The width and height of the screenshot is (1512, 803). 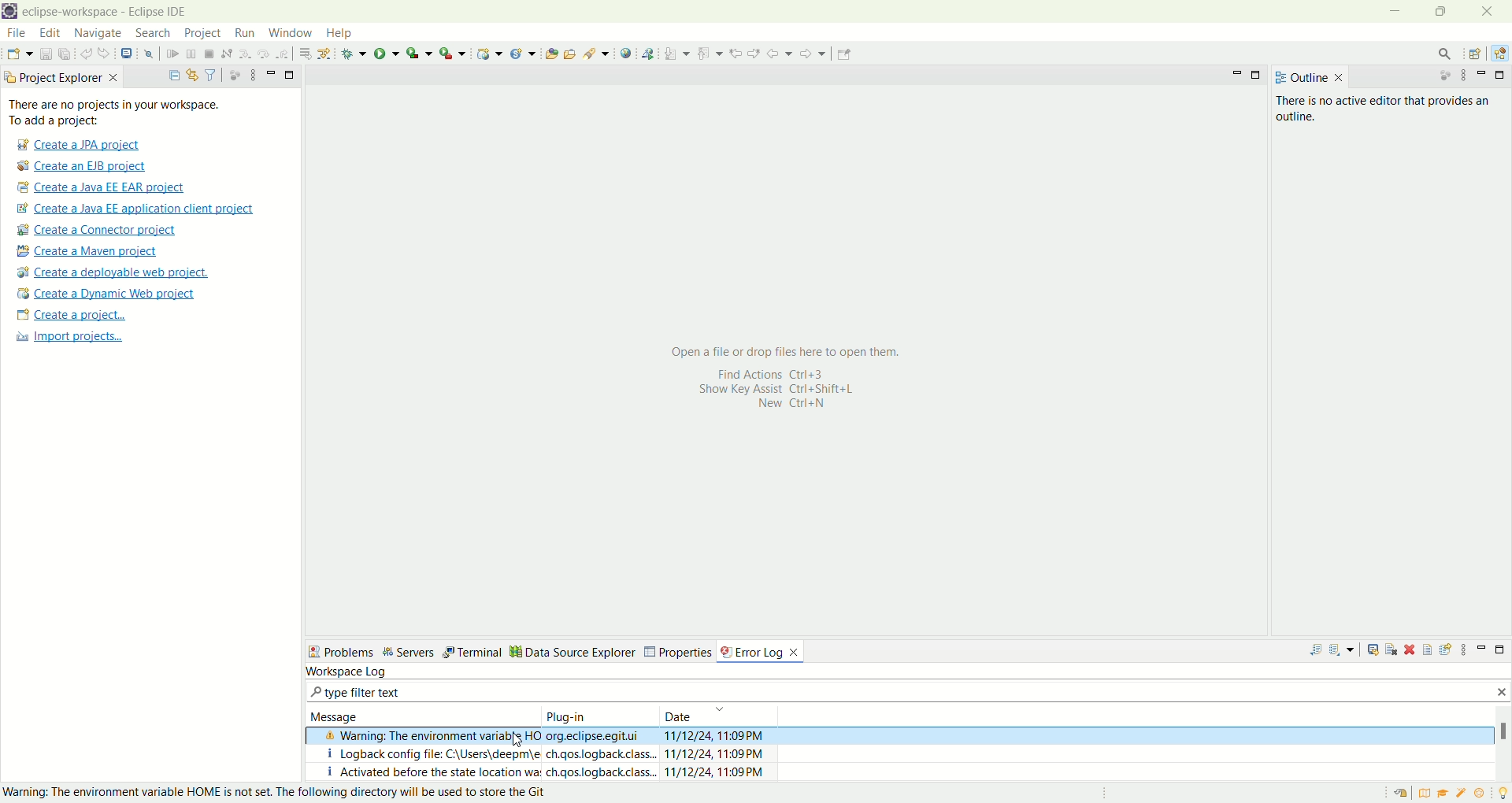 I want to click on edit, so click(x=52, y=32).